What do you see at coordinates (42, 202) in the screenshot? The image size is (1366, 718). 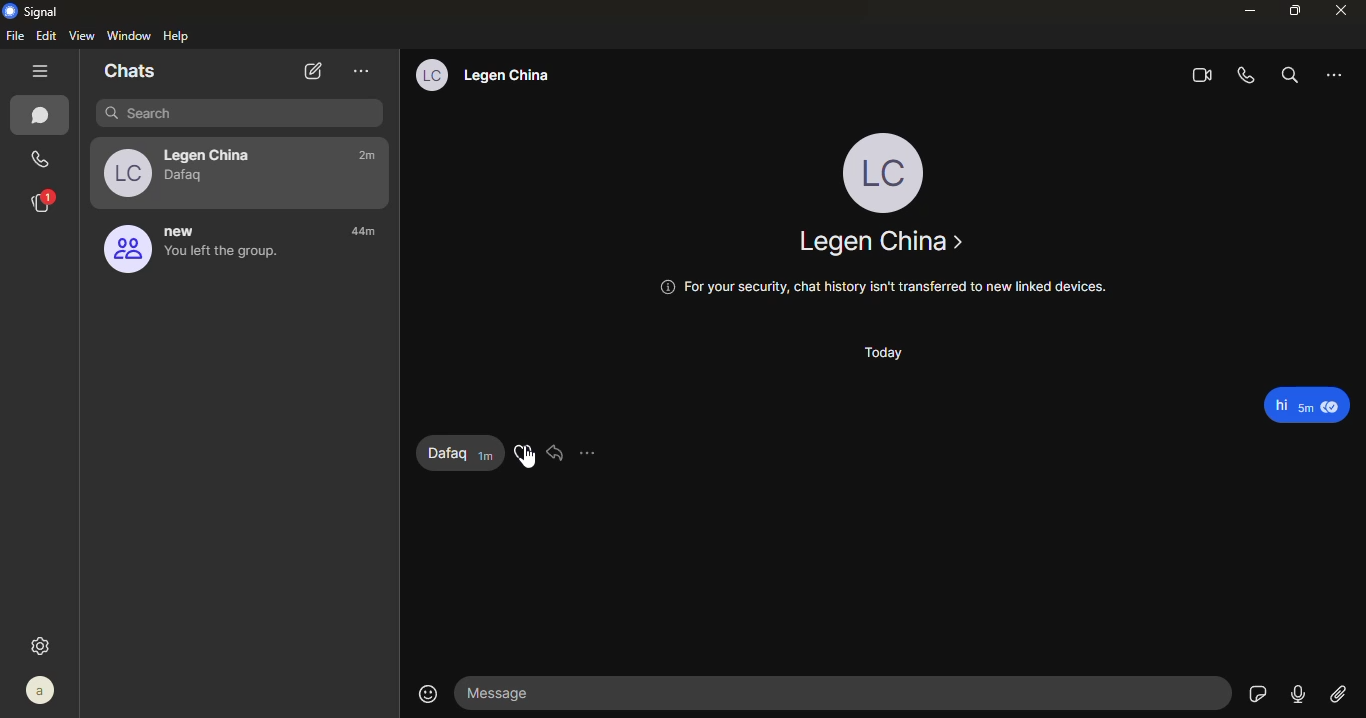 I see `stories` at bounding box center [42, 202].